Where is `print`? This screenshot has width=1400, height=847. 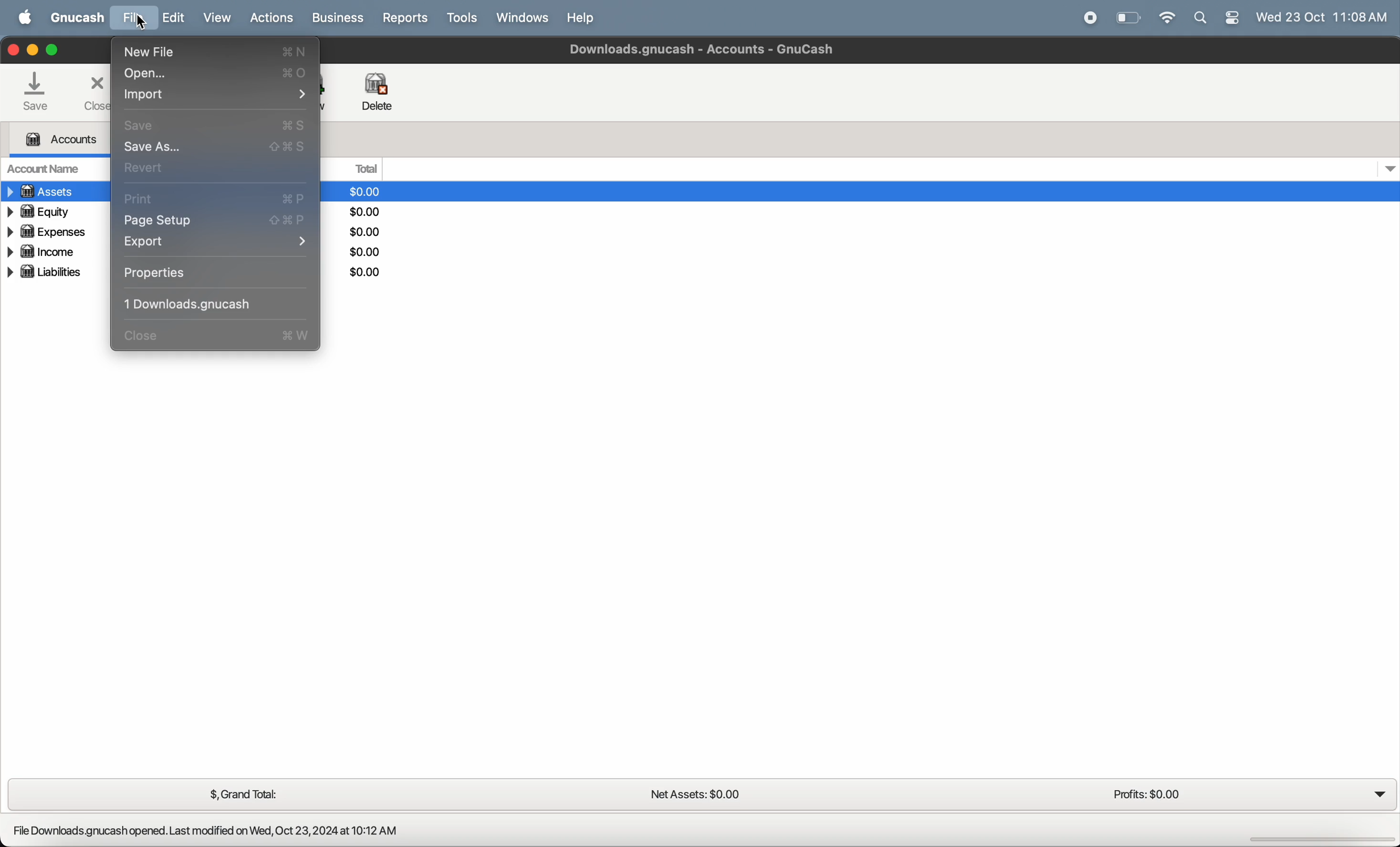 print is located at coordinates (212, 197).